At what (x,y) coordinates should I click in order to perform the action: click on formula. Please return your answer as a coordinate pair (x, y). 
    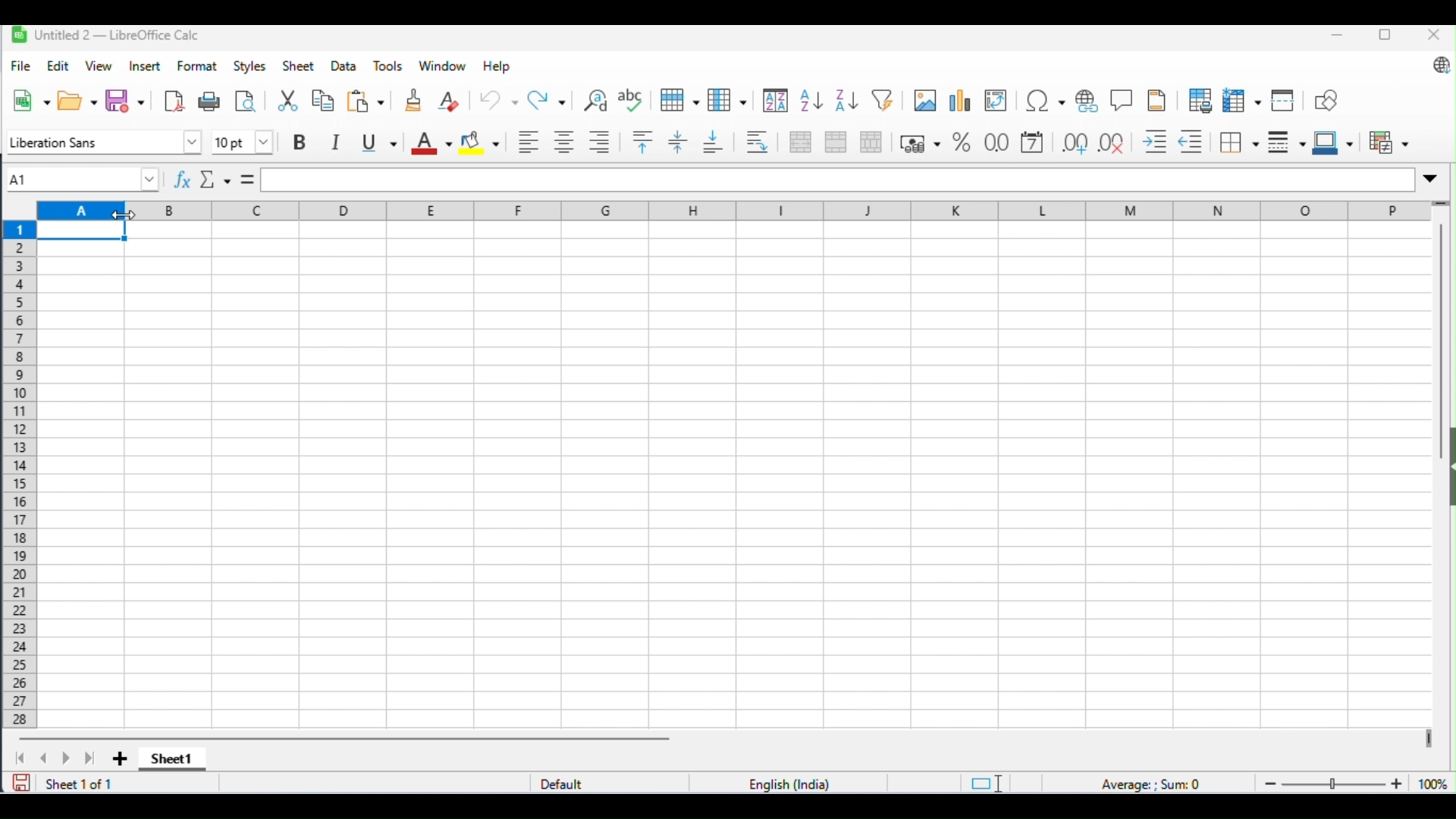
    Looking at the image, I should click on (1154, 783).